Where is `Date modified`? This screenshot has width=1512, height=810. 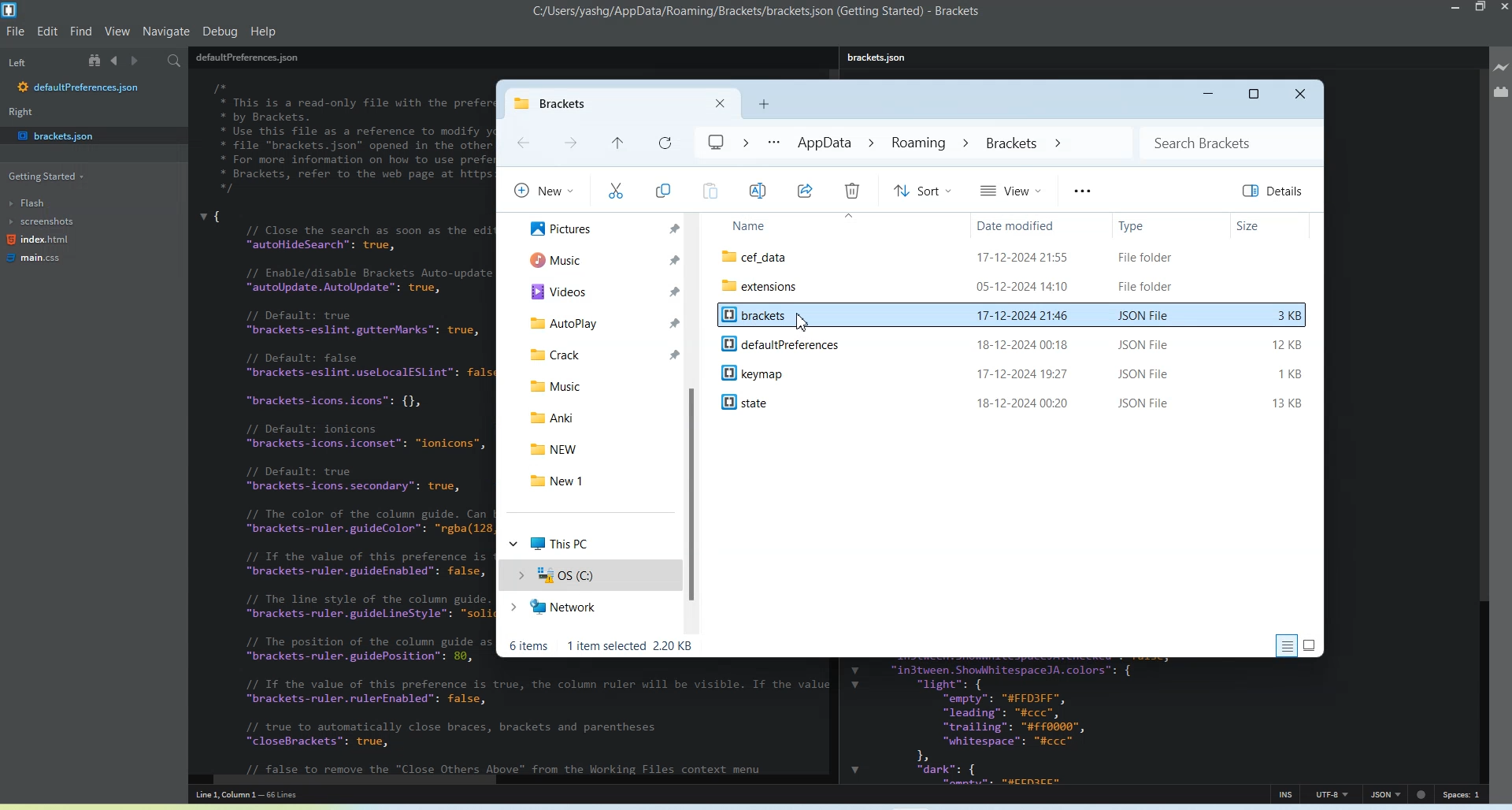 Date modified is located at coordinates (1036, 225).